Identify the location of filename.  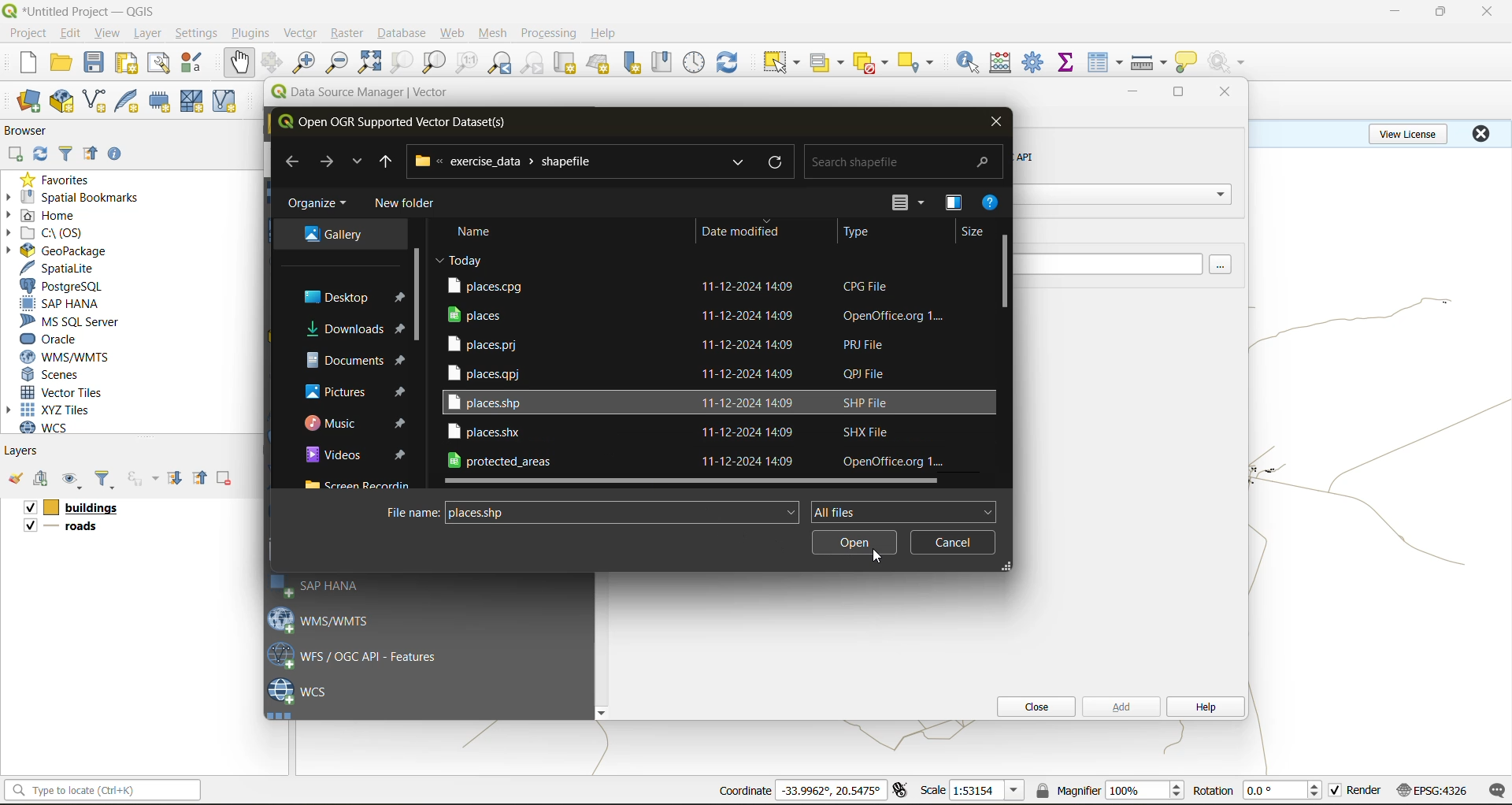
(410, 512).